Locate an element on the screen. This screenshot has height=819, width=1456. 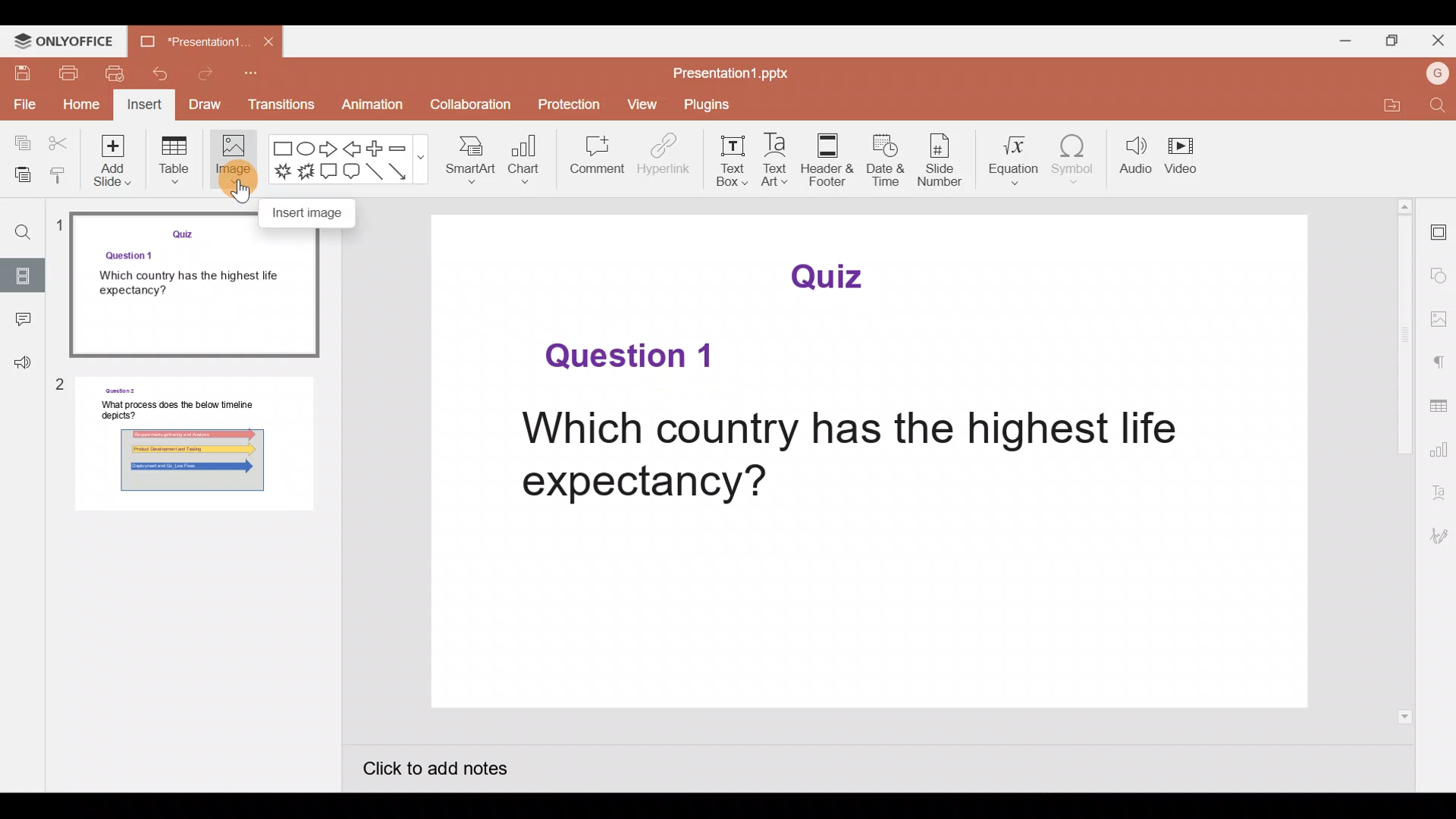
File is located at coordinates (21, 104).